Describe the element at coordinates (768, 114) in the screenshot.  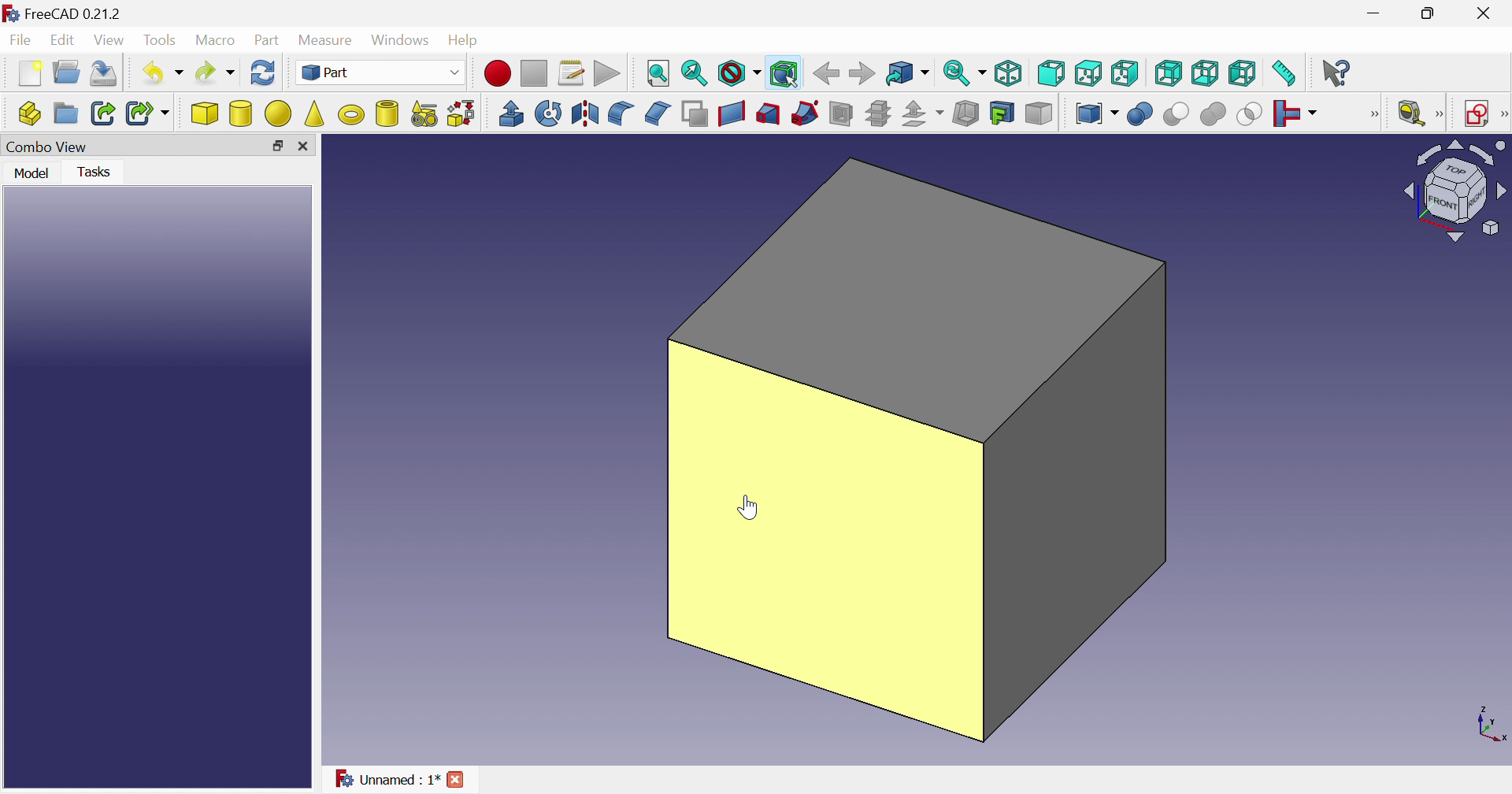
I see `Loft...` at that location.